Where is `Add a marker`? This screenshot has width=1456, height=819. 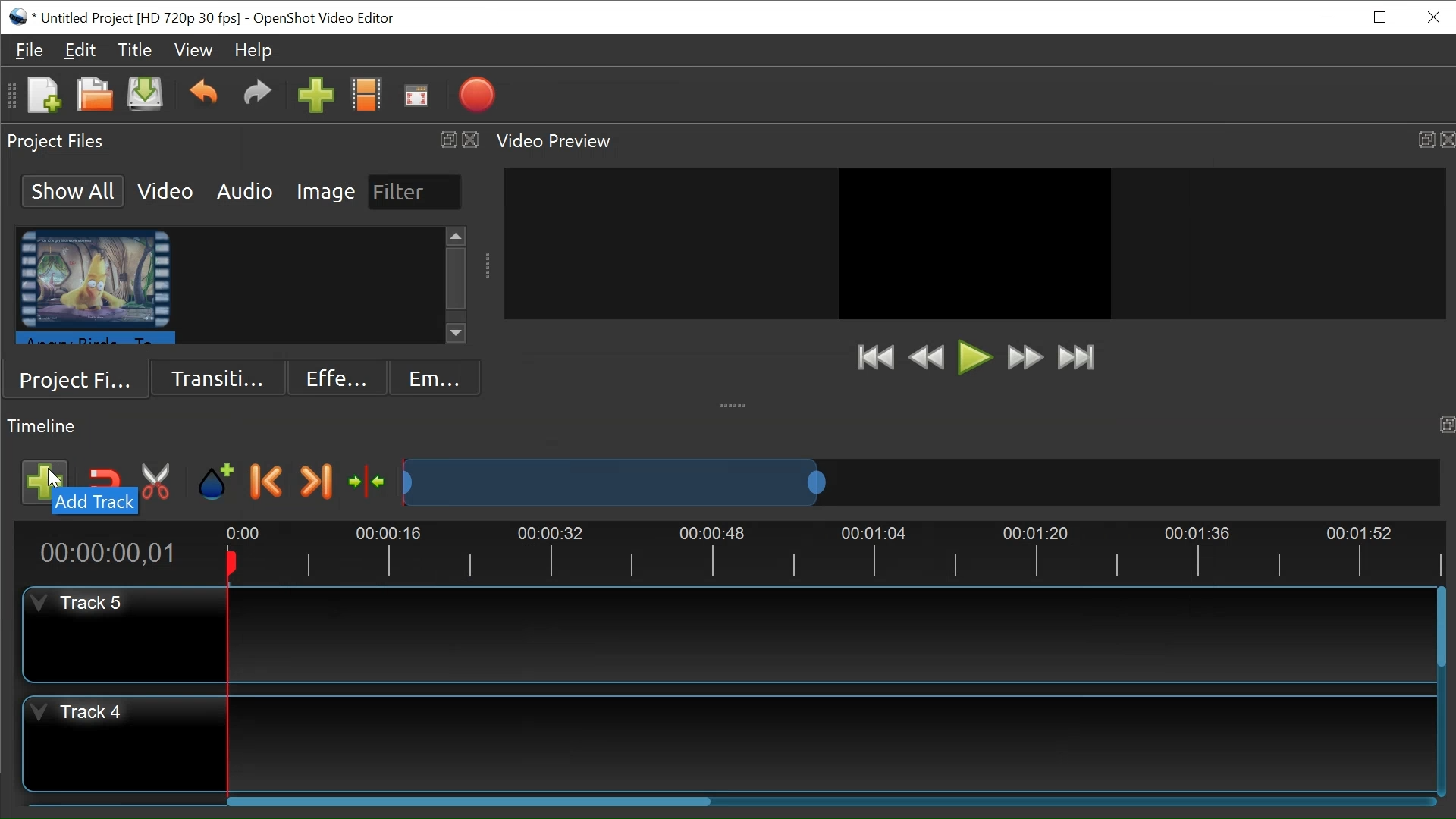
Add a marker is located at coordinates (215, 479).